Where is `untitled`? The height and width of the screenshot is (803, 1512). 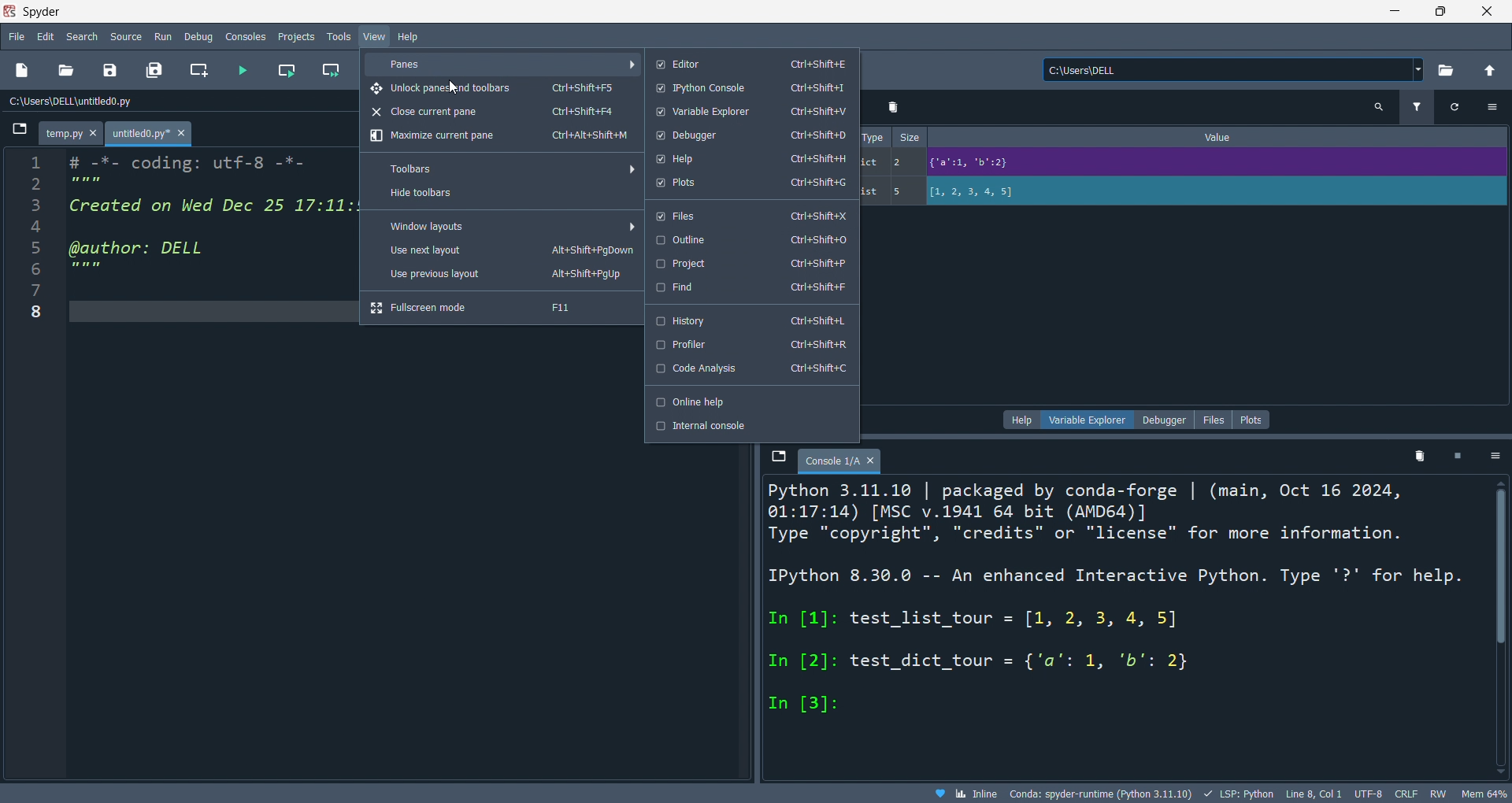 untitled is located at coordinates (151, 135).